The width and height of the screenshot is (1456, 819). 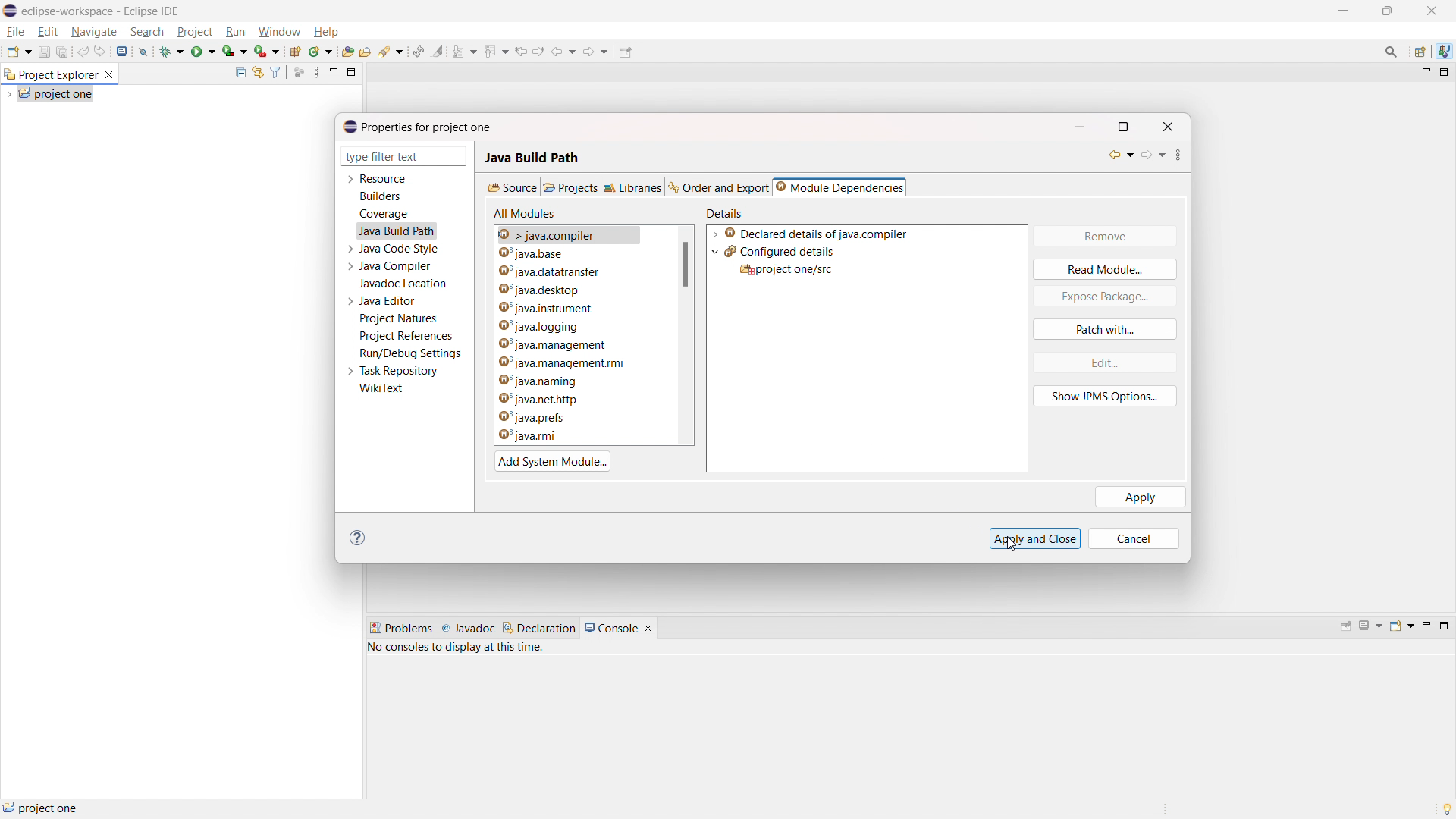 What do you see at coordinates (438, 51) in the screenshot?
I see `toggle ant mark occurances` at bounding box center [438, 51].